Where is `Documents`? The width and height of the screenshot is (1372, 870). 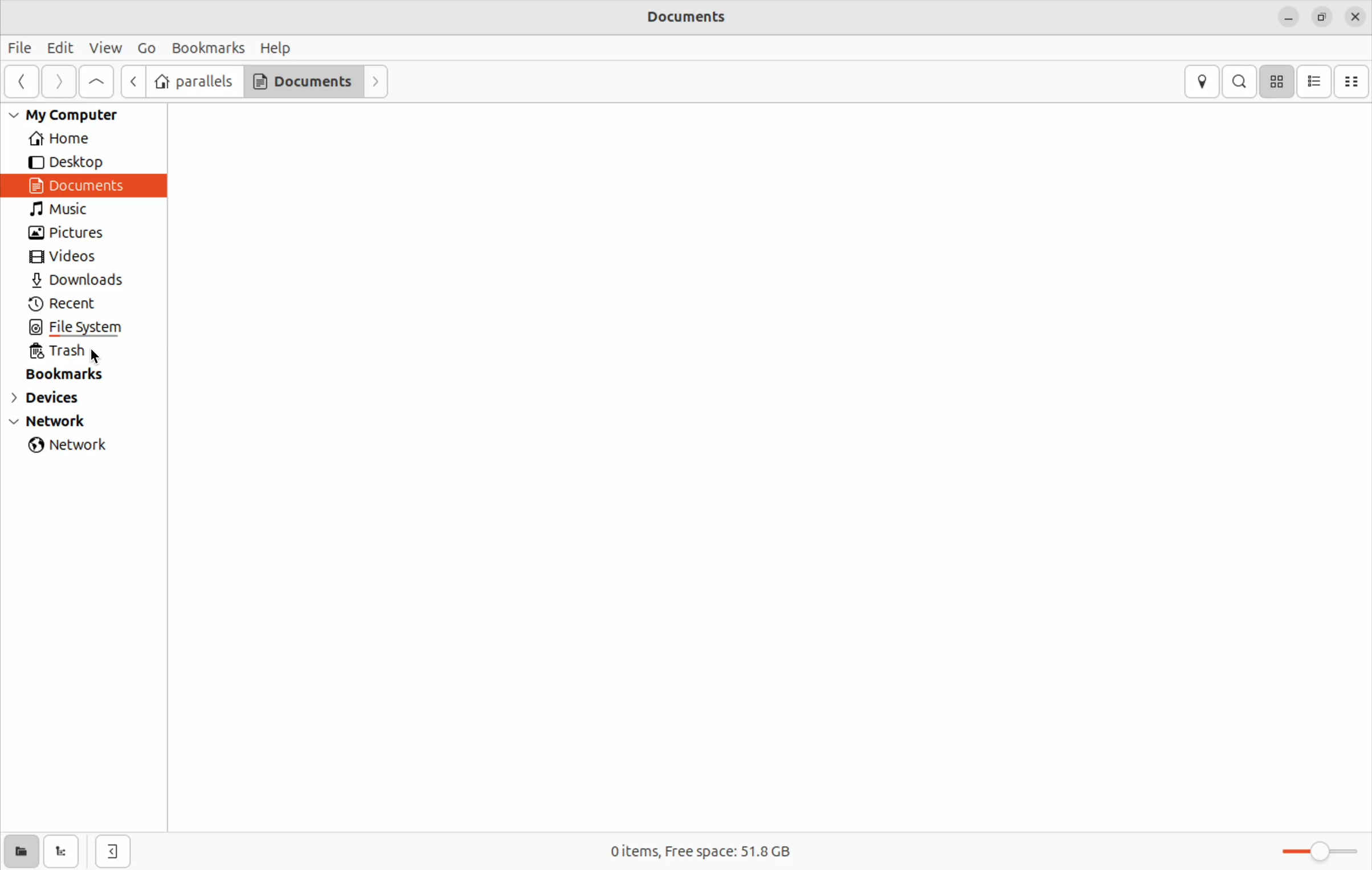 Documents is located at coordinates (82, 185).